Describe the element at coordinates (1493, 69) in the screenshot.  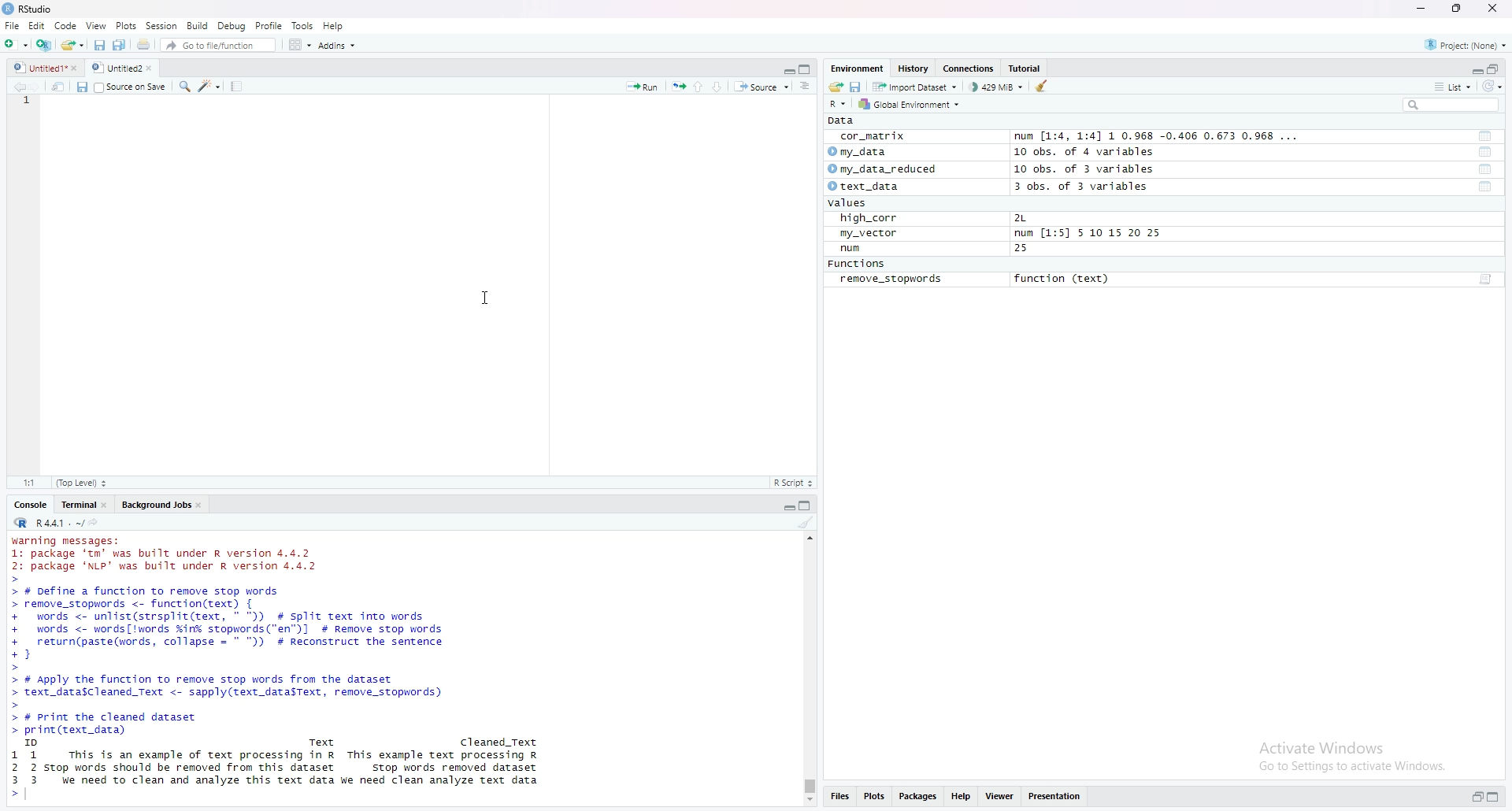
I see `Restore Down` at that location.